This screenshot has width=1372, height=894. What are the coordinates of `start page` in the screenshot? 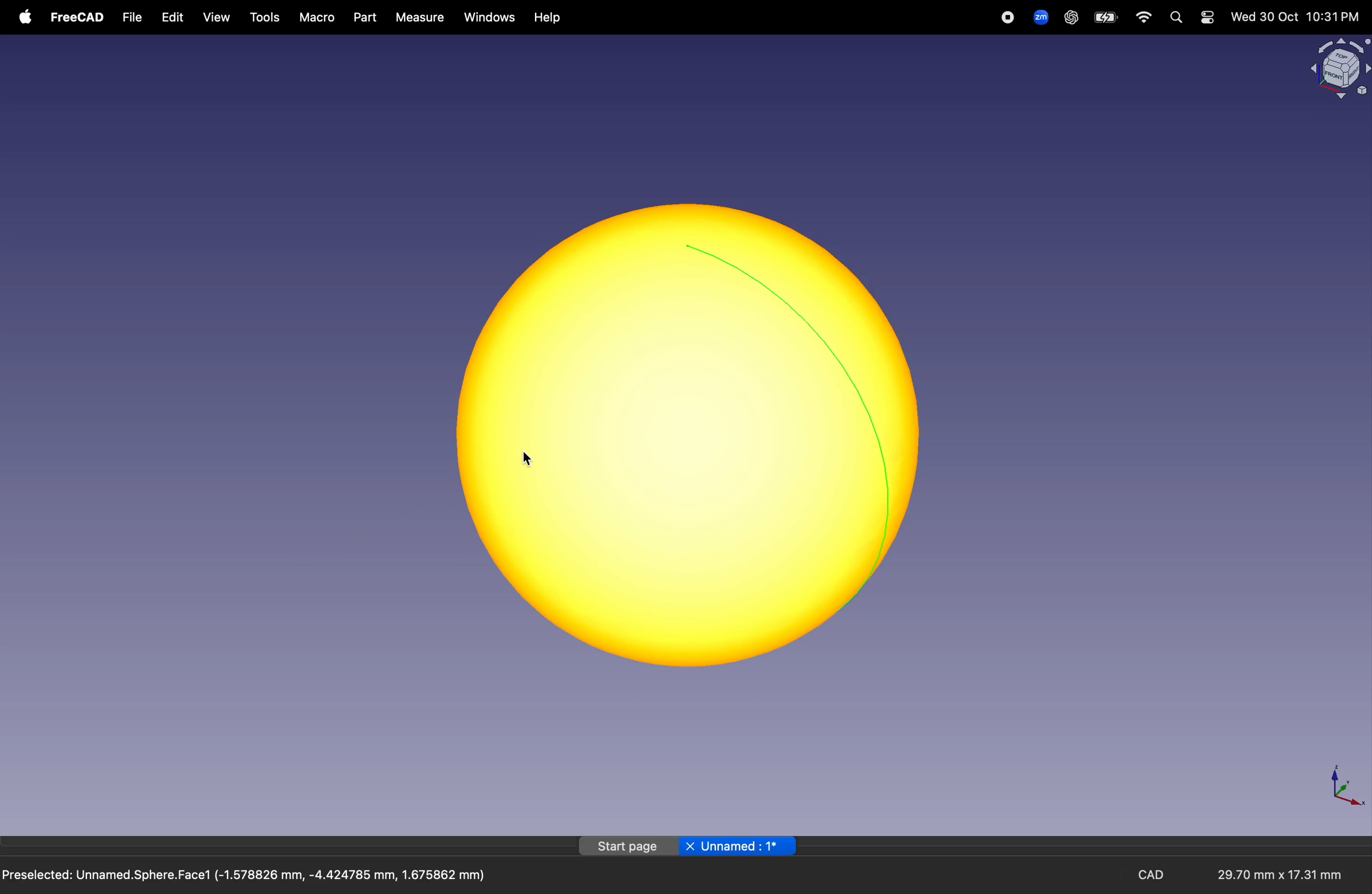 It's located at (628, 846).